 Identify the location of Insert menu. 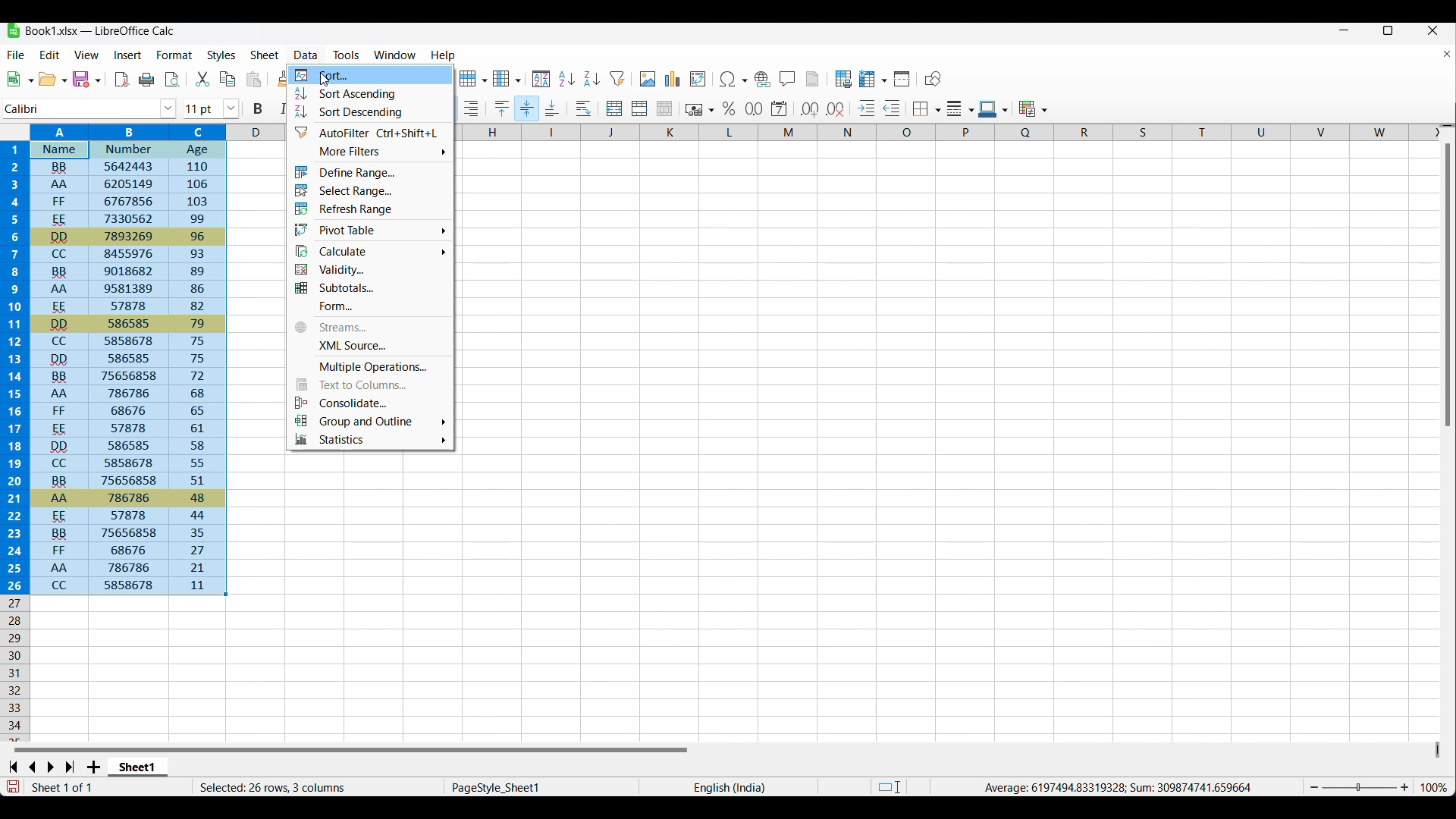
(128, 55).